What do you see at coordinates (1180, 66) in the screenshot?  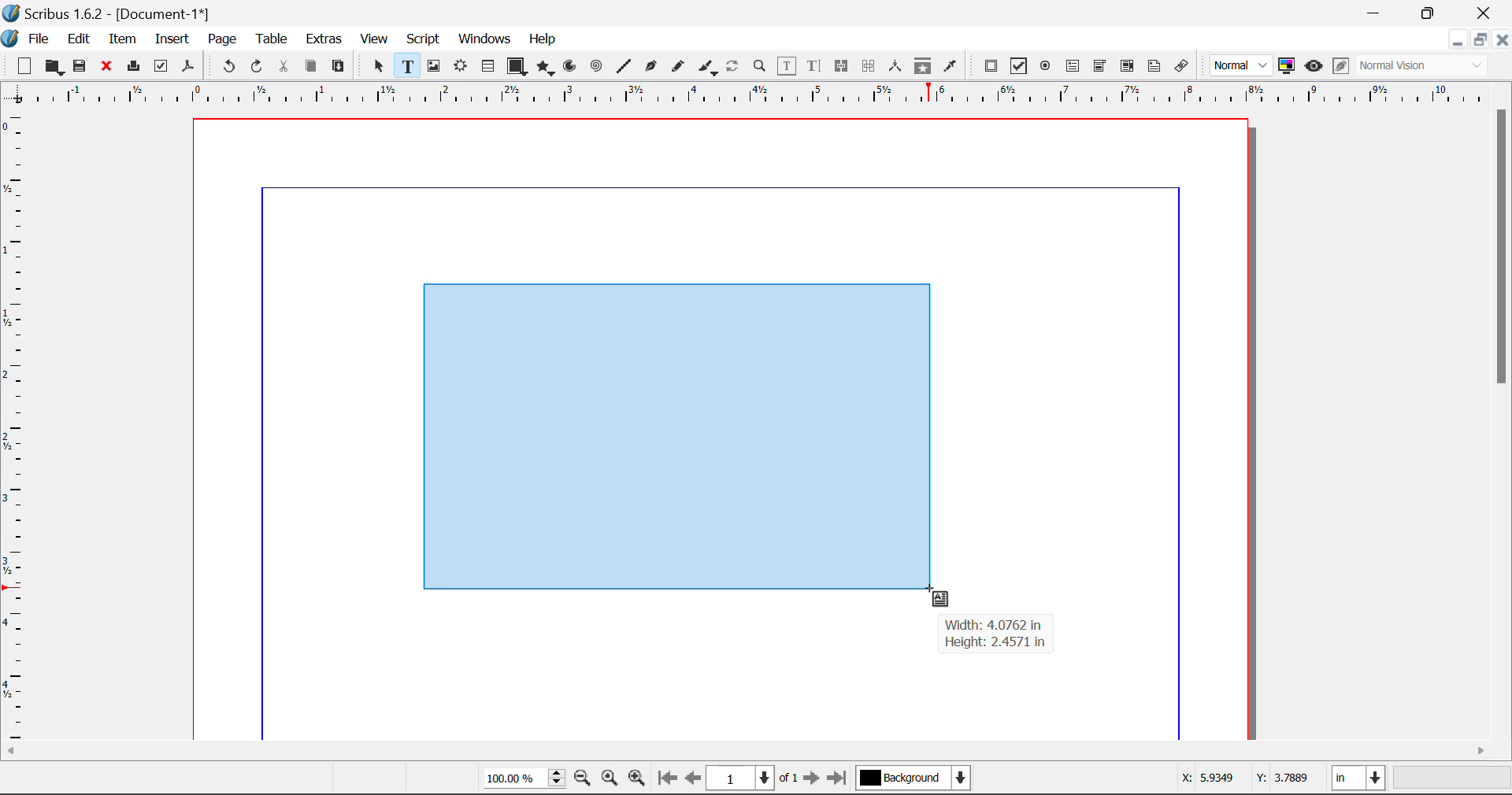 I see `Link Annotation` at bounding box center [1180, 66].